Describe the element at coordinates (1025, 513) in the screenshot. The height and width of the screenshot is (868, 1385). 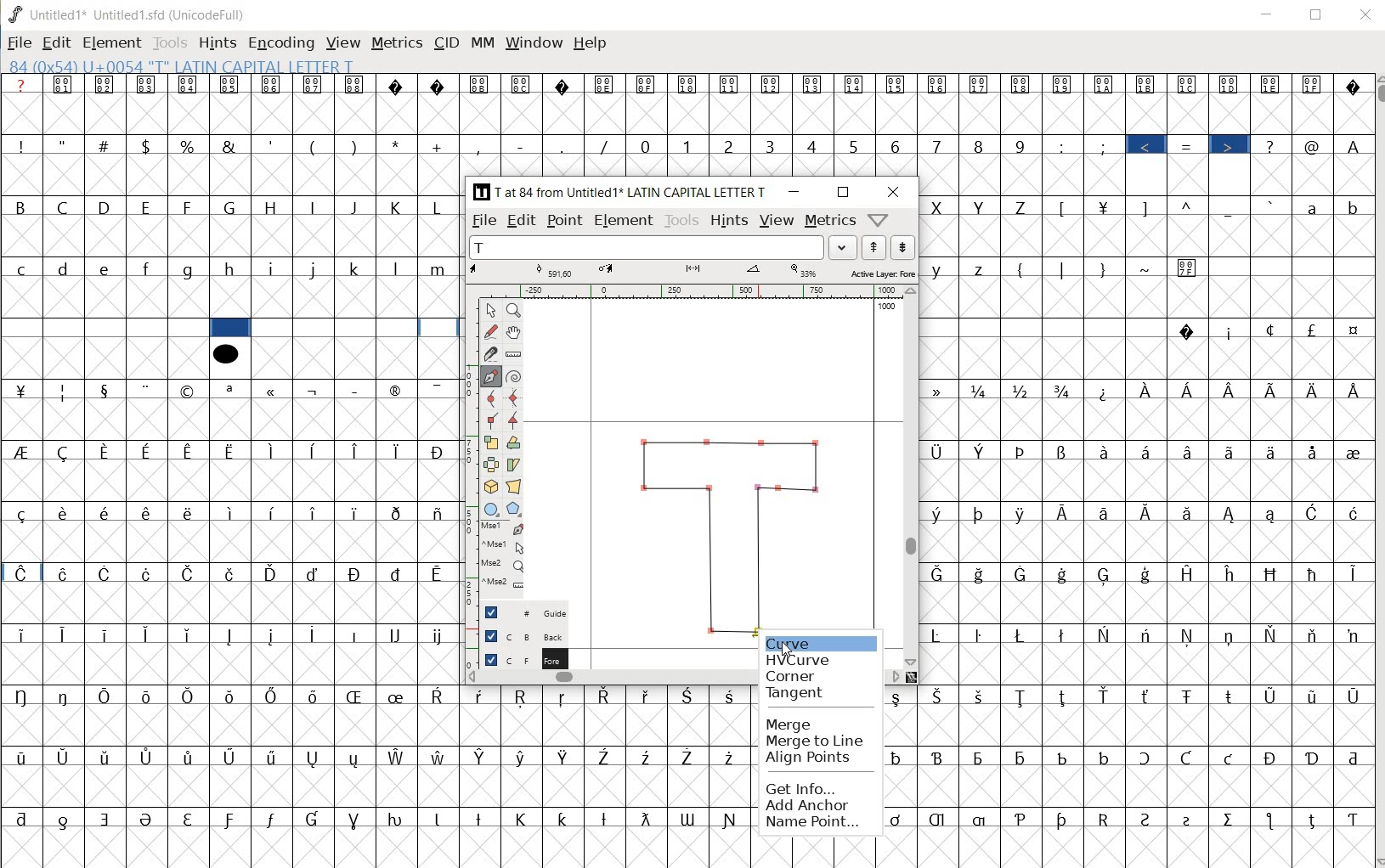
I see `Symbol` at that location.